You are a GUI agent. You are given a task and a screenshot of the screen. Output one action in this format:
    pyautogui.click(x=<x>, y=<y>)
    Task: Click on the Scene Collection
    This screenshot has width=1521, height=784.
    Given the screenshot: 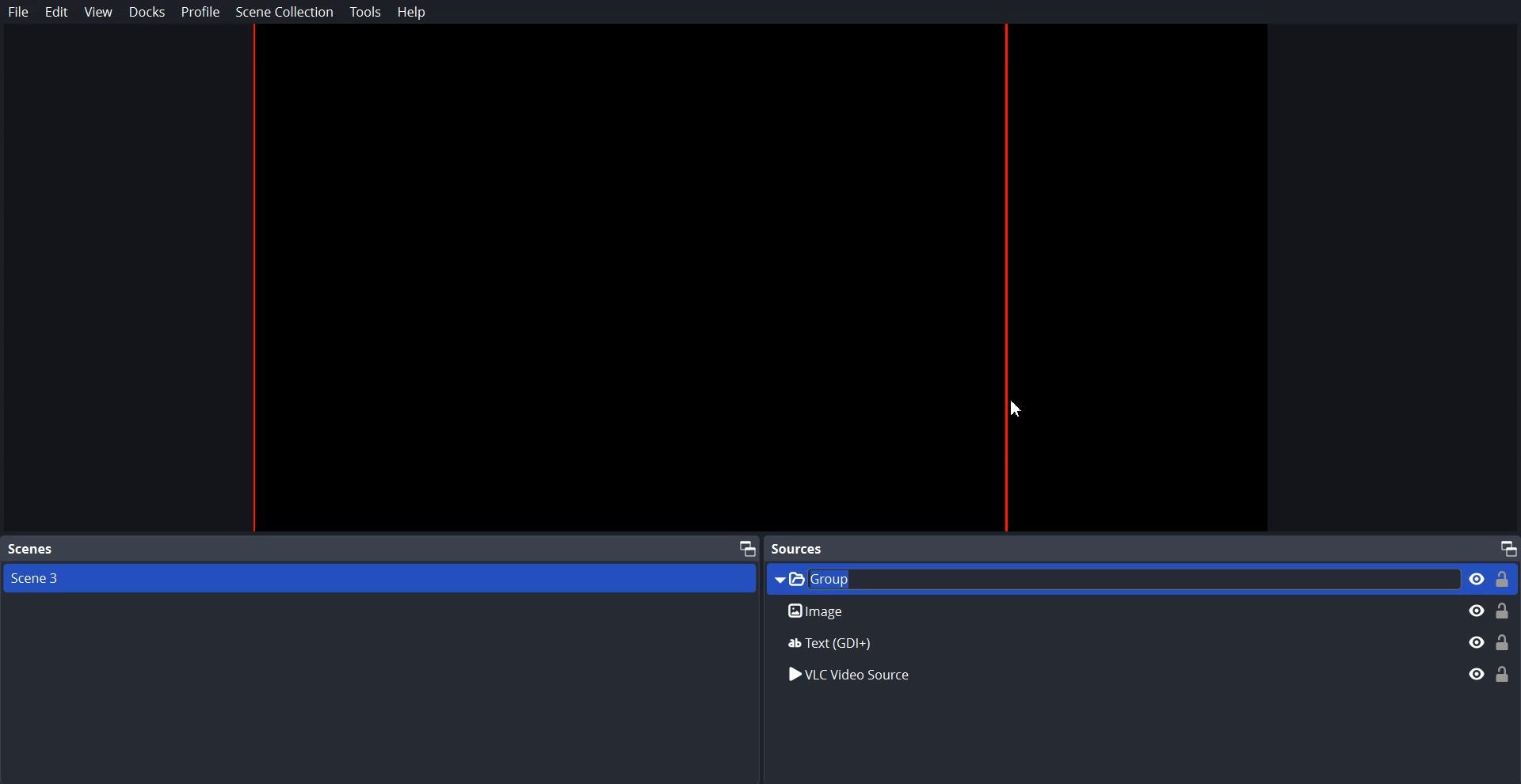 What is the action you would take?
    pyautogui.click(x=284, y=11)
    